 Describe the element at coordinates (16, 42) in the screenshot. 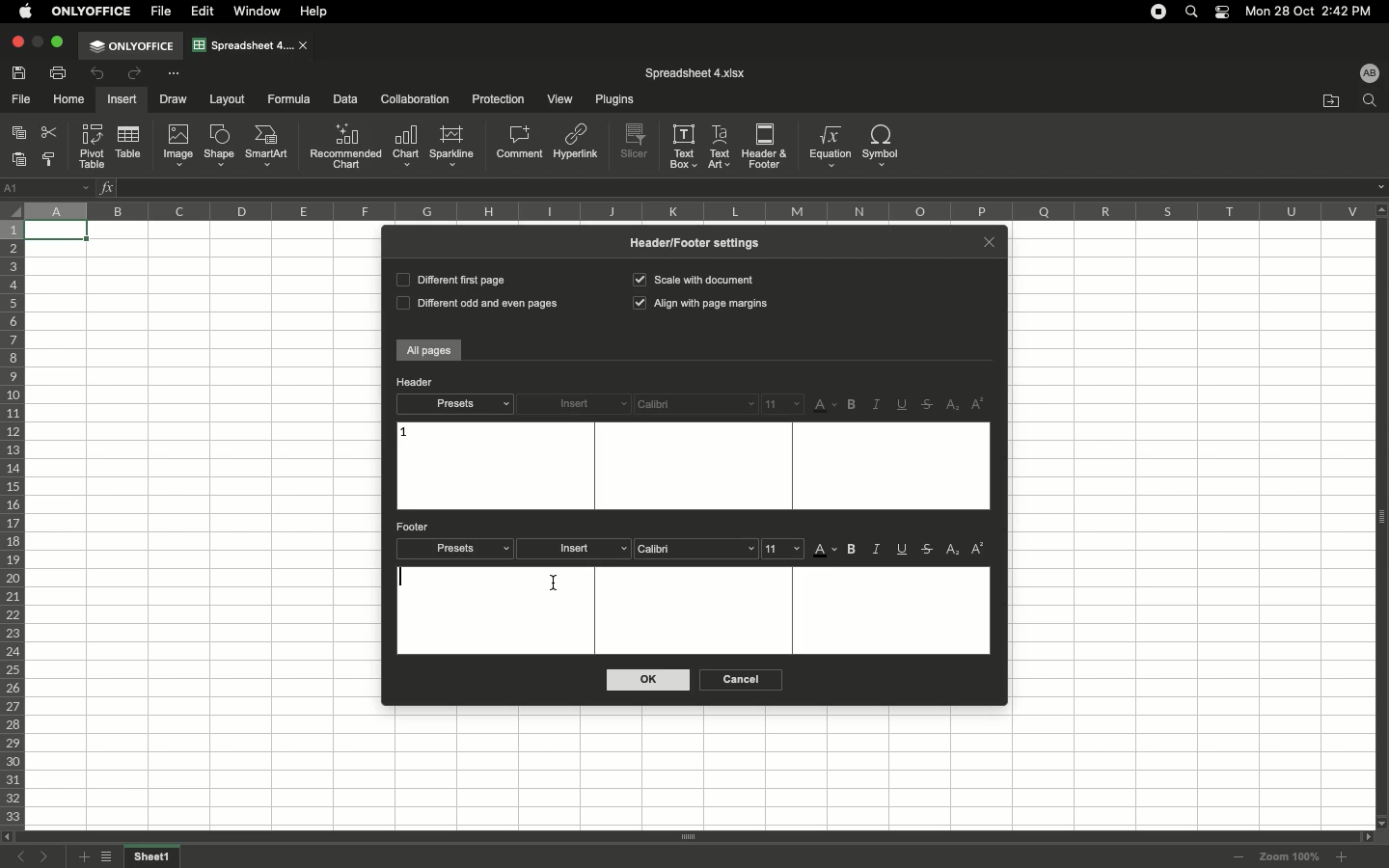

I see `Close` at that location.